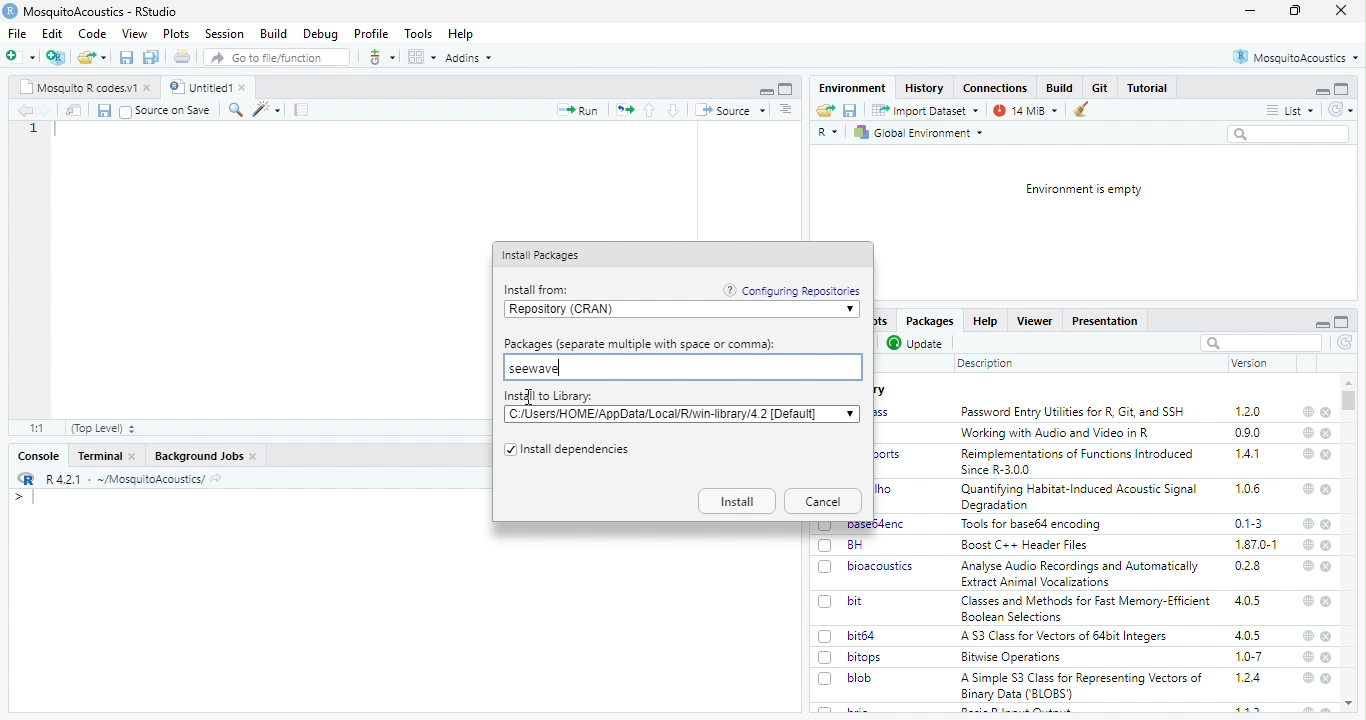 This screenshot has width=1366, height=720. What do you see at coordinates (530, 398) in the screenshot?
I see `cursor` at bounding box center [530, 398].